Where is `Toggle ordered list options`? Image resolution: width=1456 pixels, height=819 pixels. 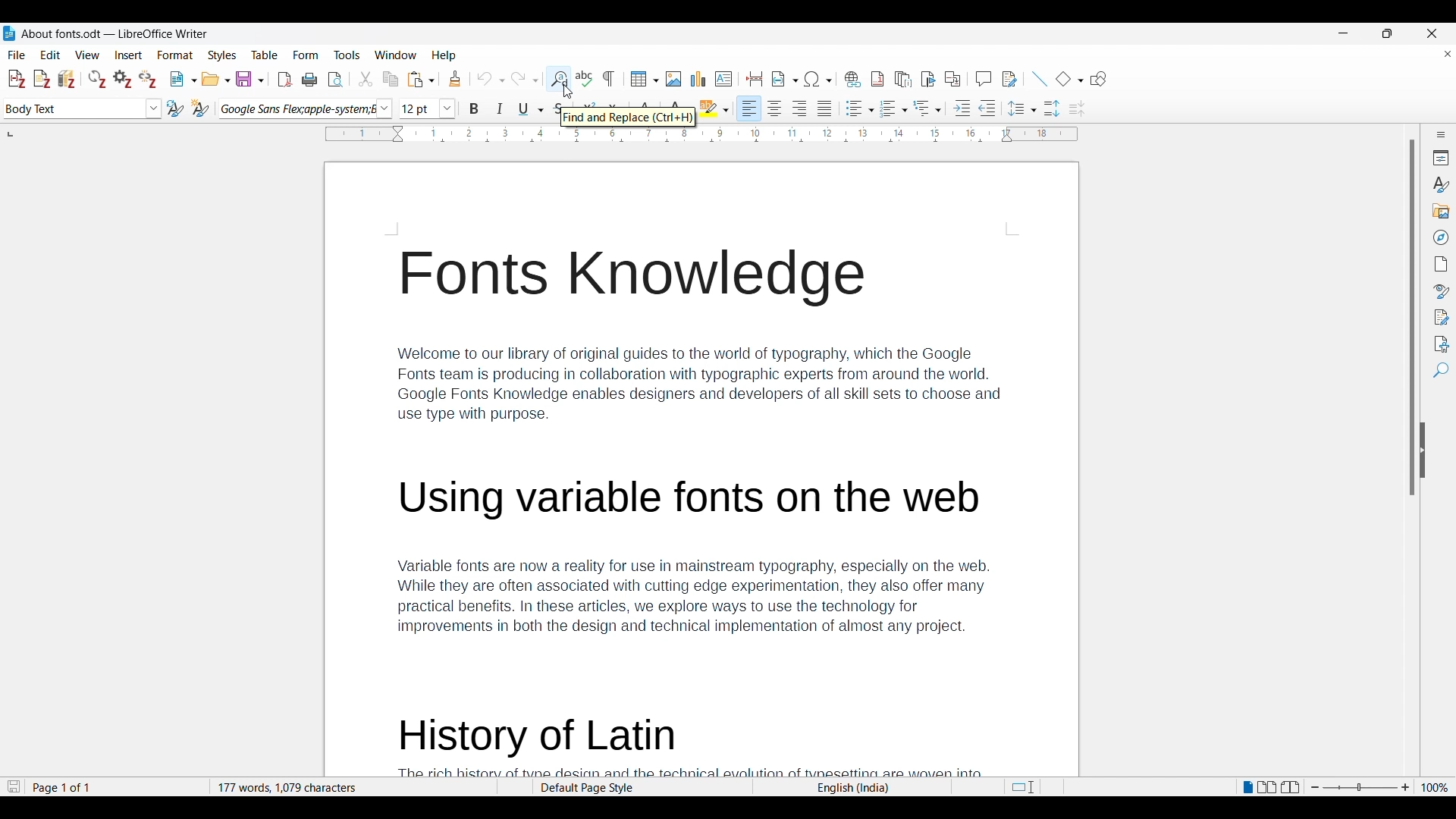
Toggle ordered list options is located at coordinates (894, 109).